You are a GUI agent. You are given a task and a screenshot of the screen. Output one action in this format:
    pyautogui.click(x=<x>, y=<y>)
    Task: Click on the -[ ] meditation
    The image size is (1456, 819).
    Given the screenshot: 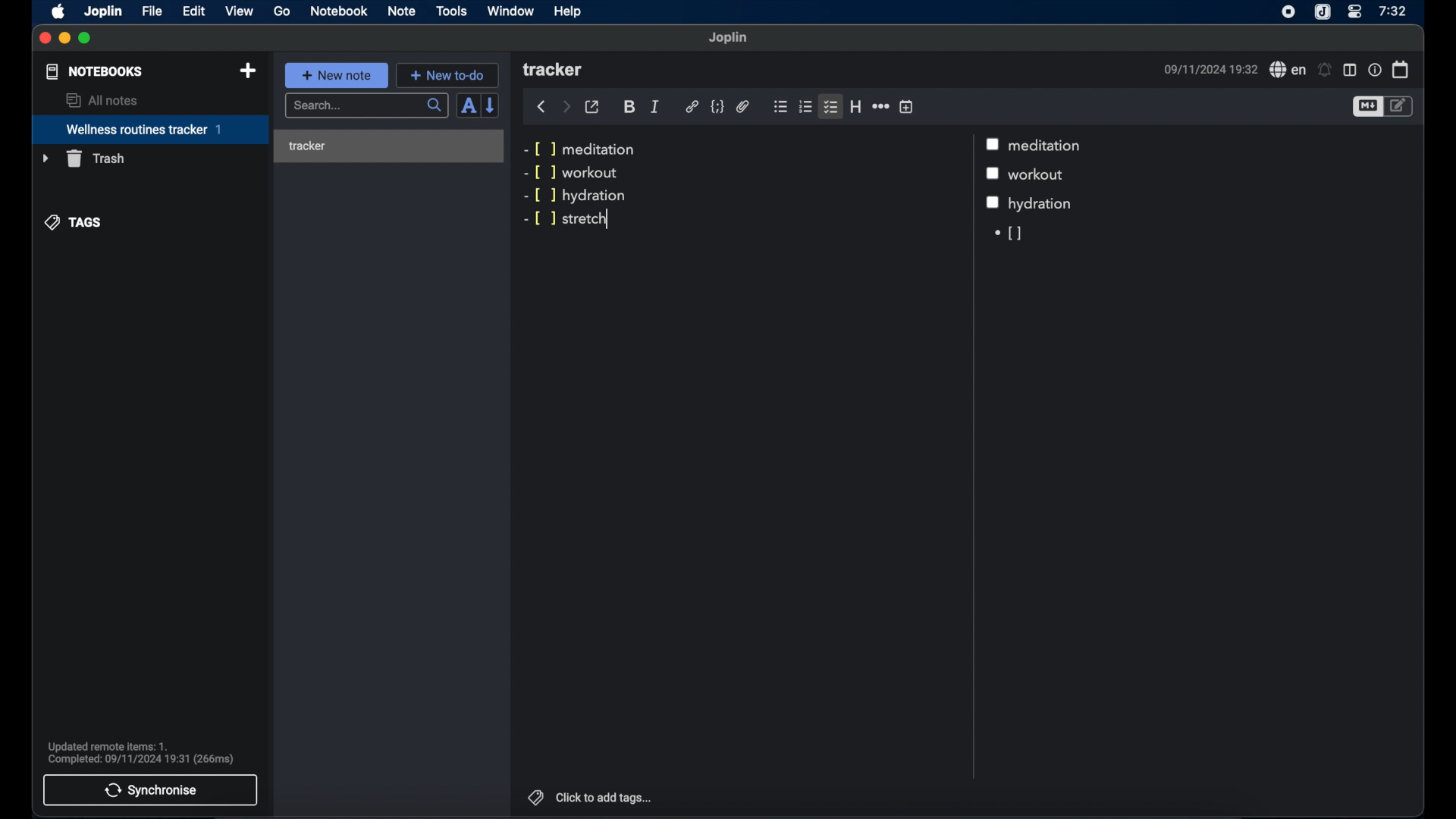 What is the action you would take?
    pyautogui.click(x=583, y=148)
    